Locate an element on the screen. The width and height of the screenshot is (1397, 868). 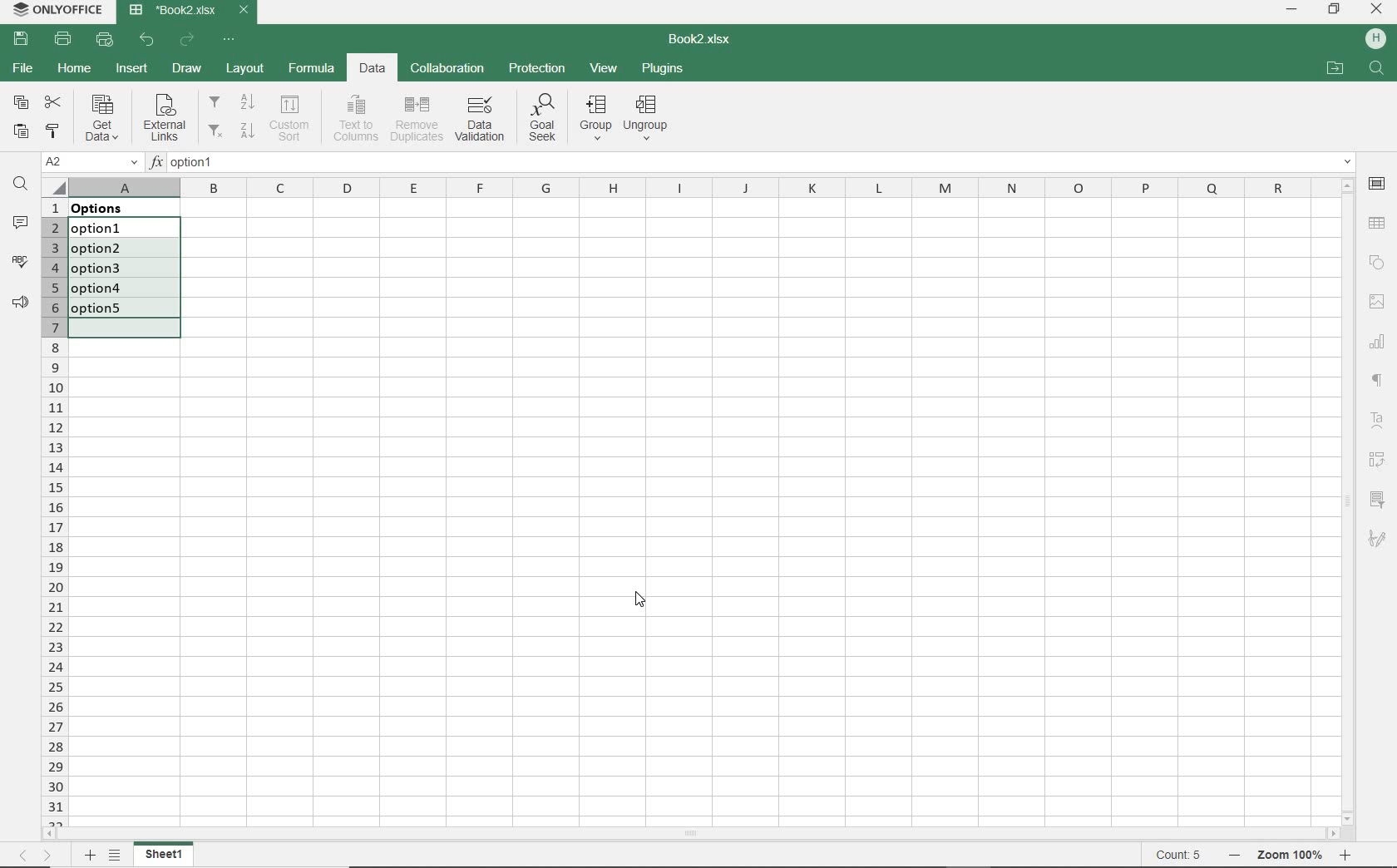
search is located at coordinates (1378, 70).